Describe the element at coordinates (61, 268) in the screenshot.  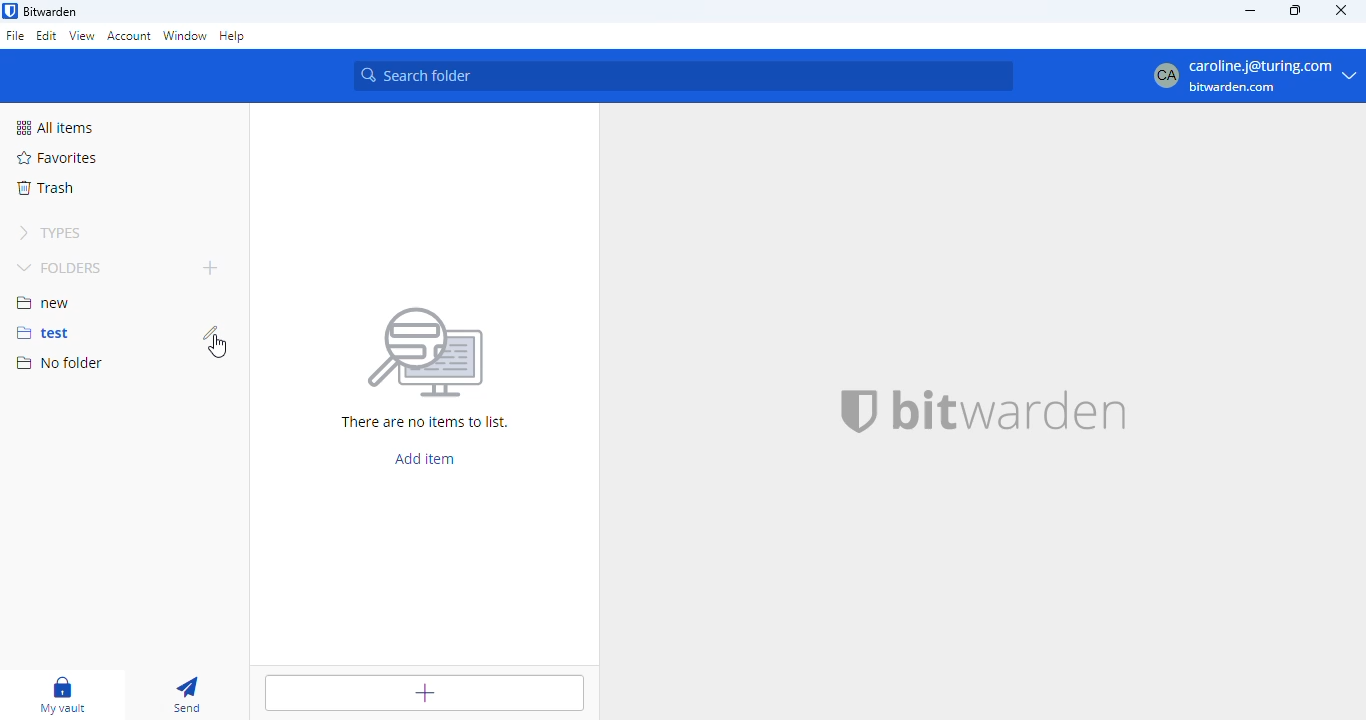
I see `folders` at that location.